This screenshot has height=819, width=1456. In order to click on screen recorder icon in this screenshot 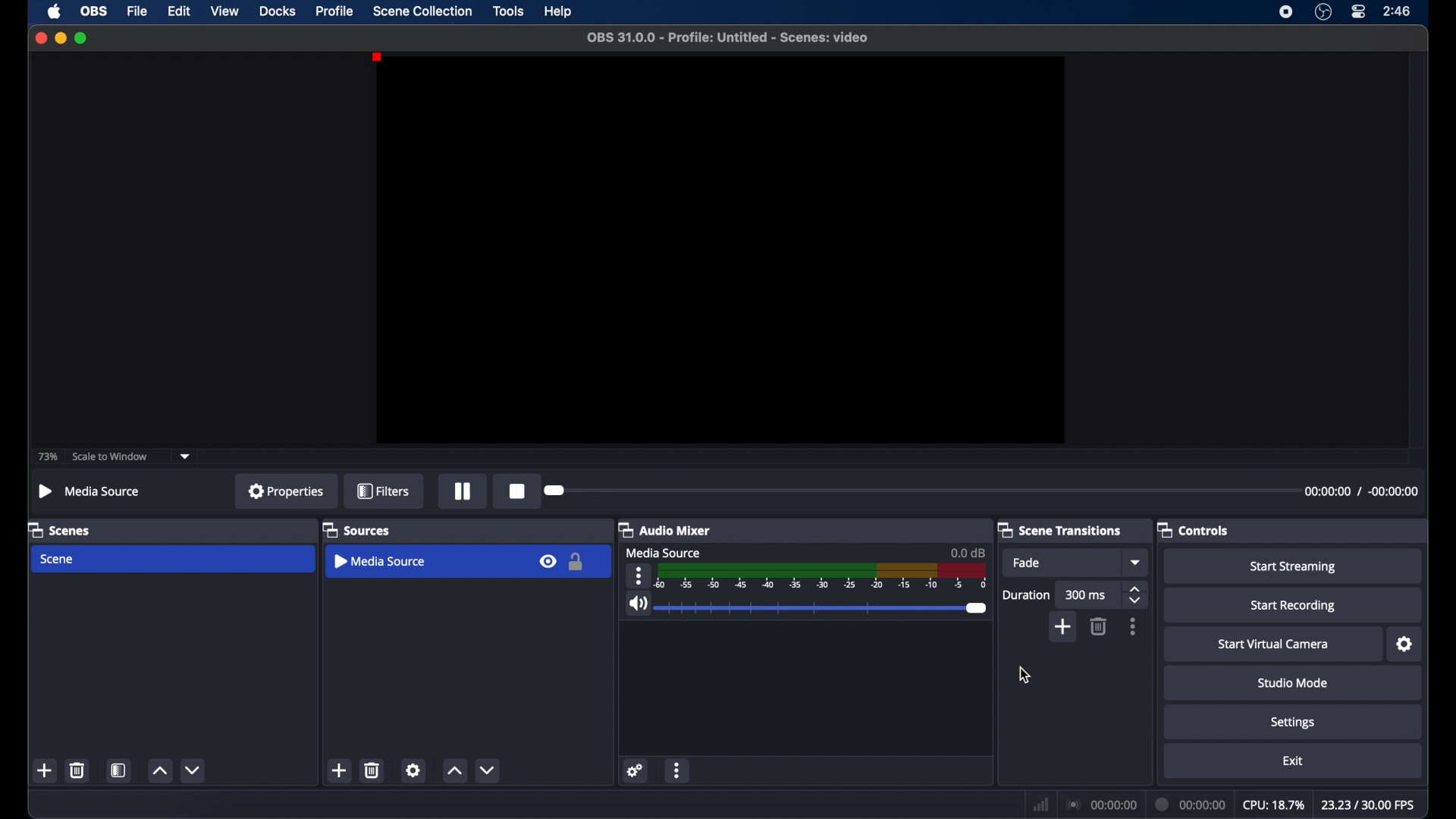, I will do `click(1286, 11)`.